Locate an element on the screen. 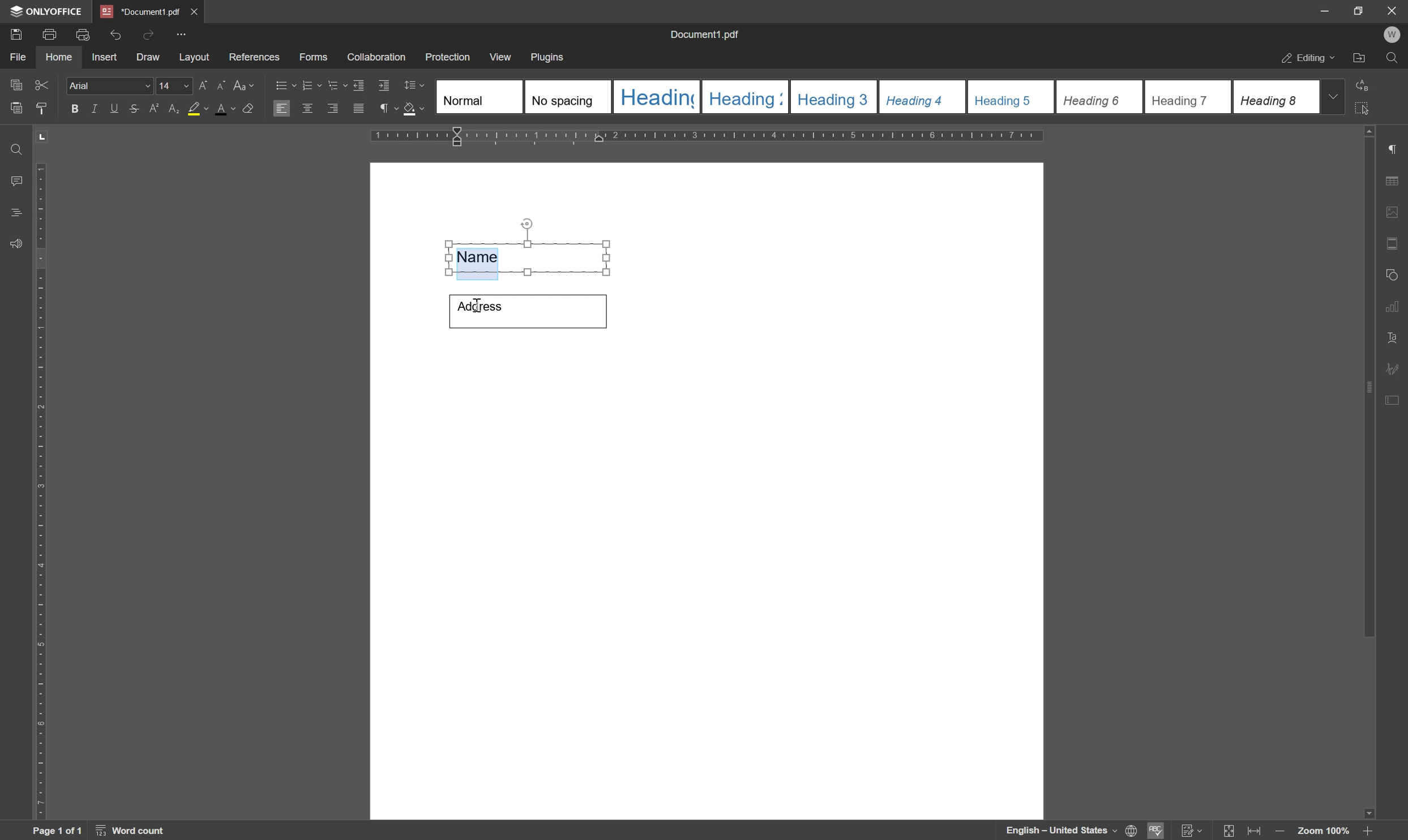  zoom in is located at coordinates (1366, 831).